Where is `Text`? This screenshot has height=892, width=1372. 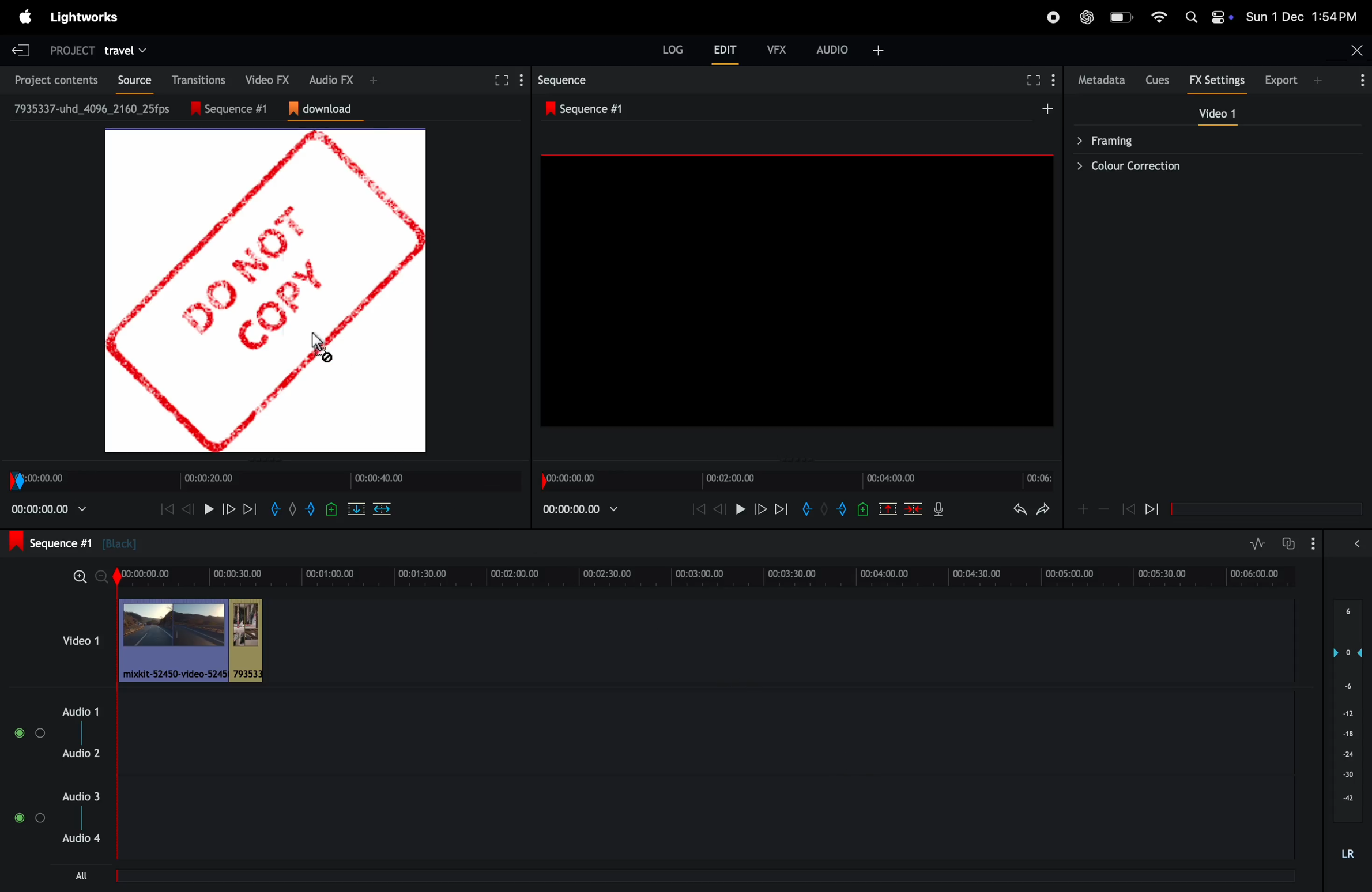 Text is located at coordinates (1348, 855).